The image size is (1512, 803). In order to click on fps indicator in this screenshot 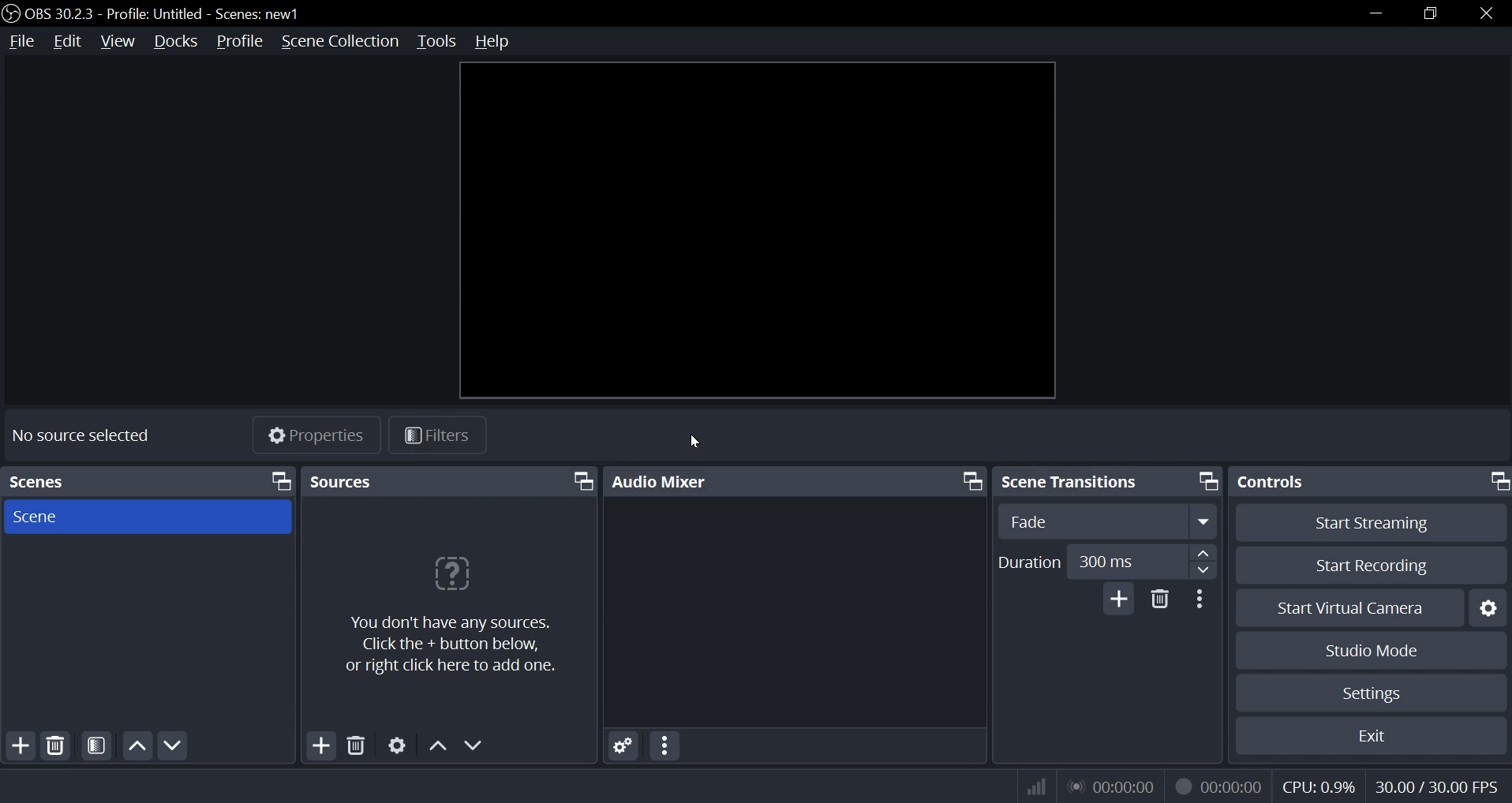, I will do `click(1435, 785)`.